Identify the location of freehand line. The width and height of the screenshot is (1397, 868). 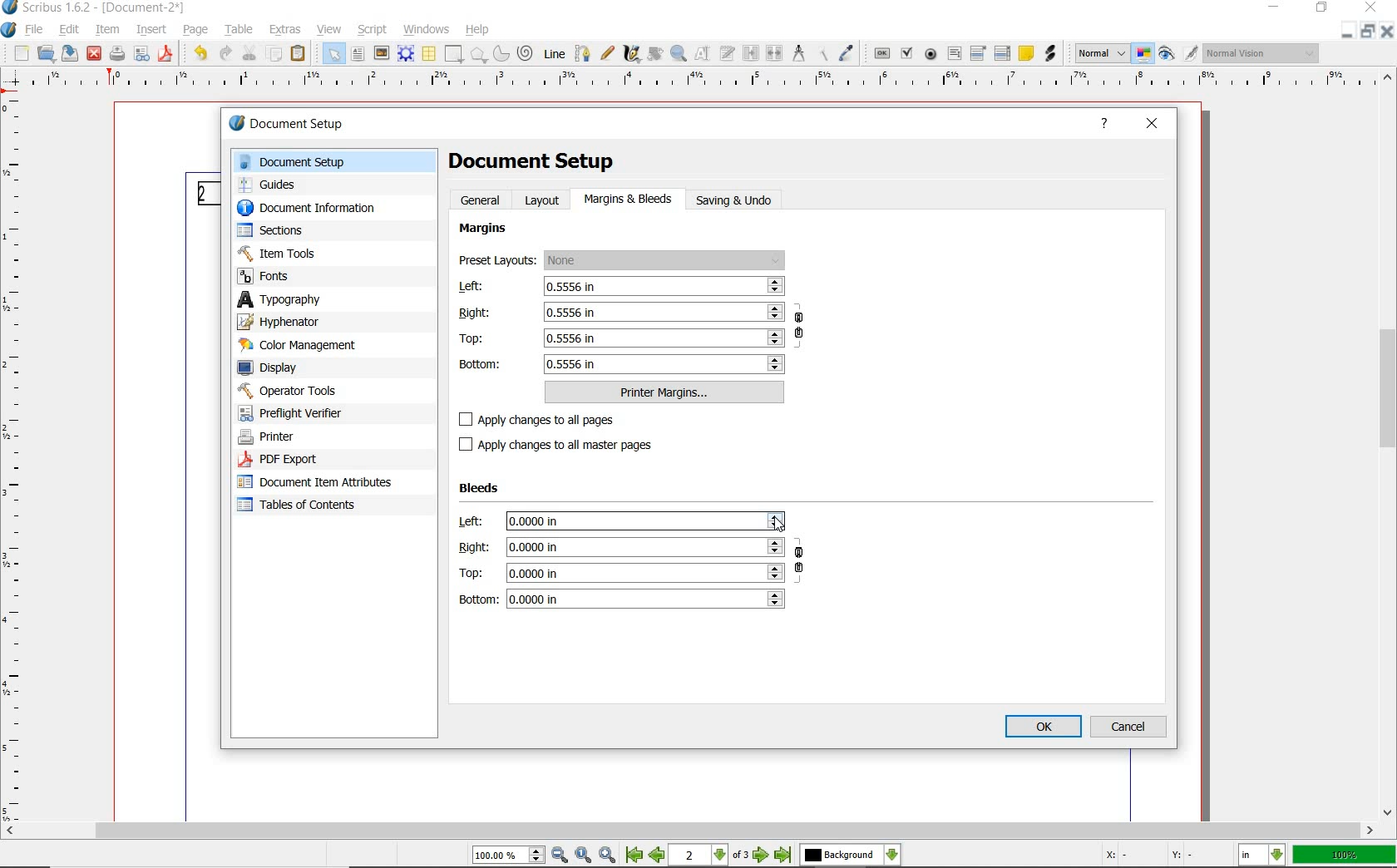
(608, 54).